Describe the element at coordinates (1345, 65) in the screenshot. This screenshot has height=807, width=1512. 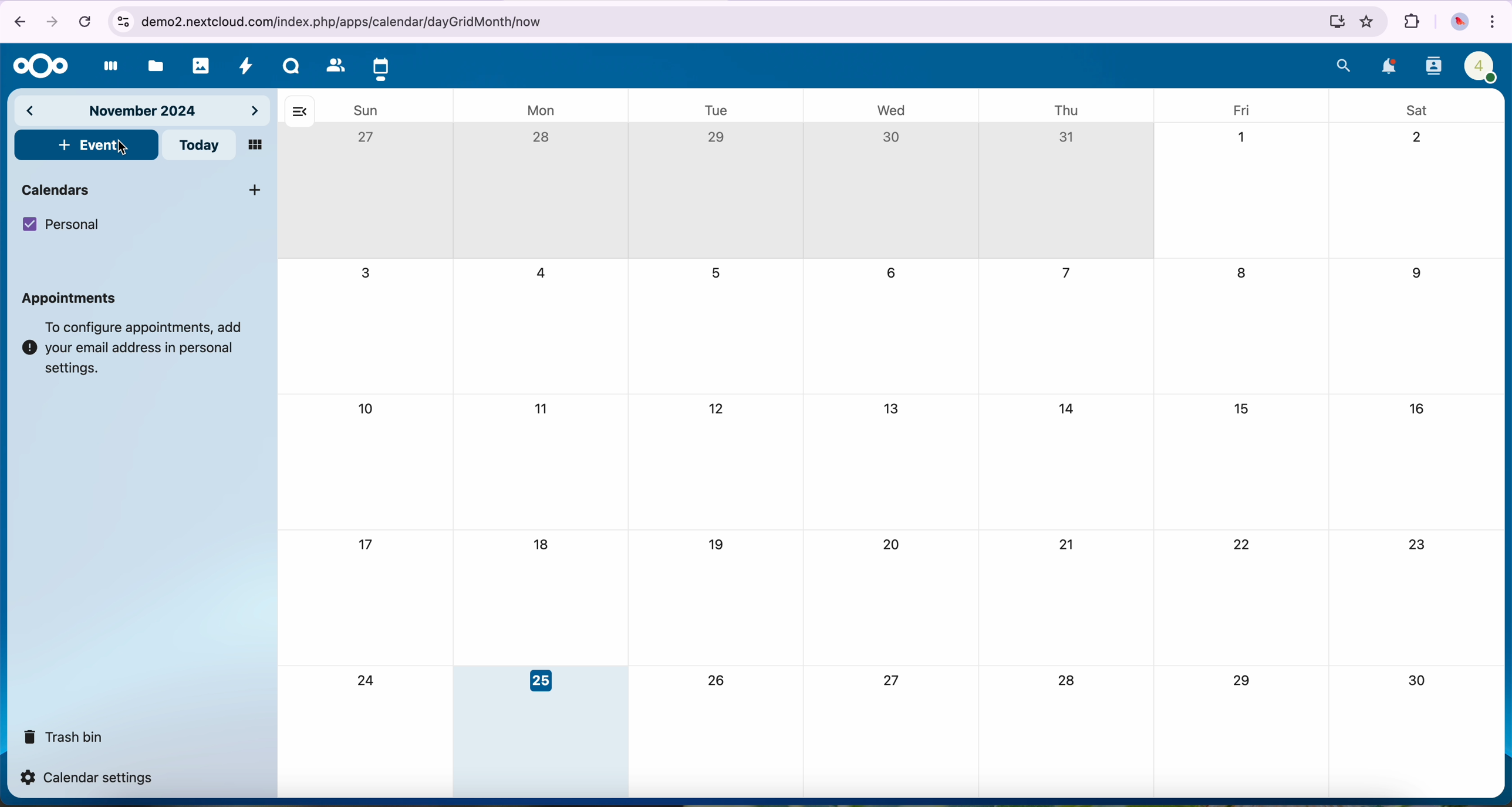
I see `search` at that location.